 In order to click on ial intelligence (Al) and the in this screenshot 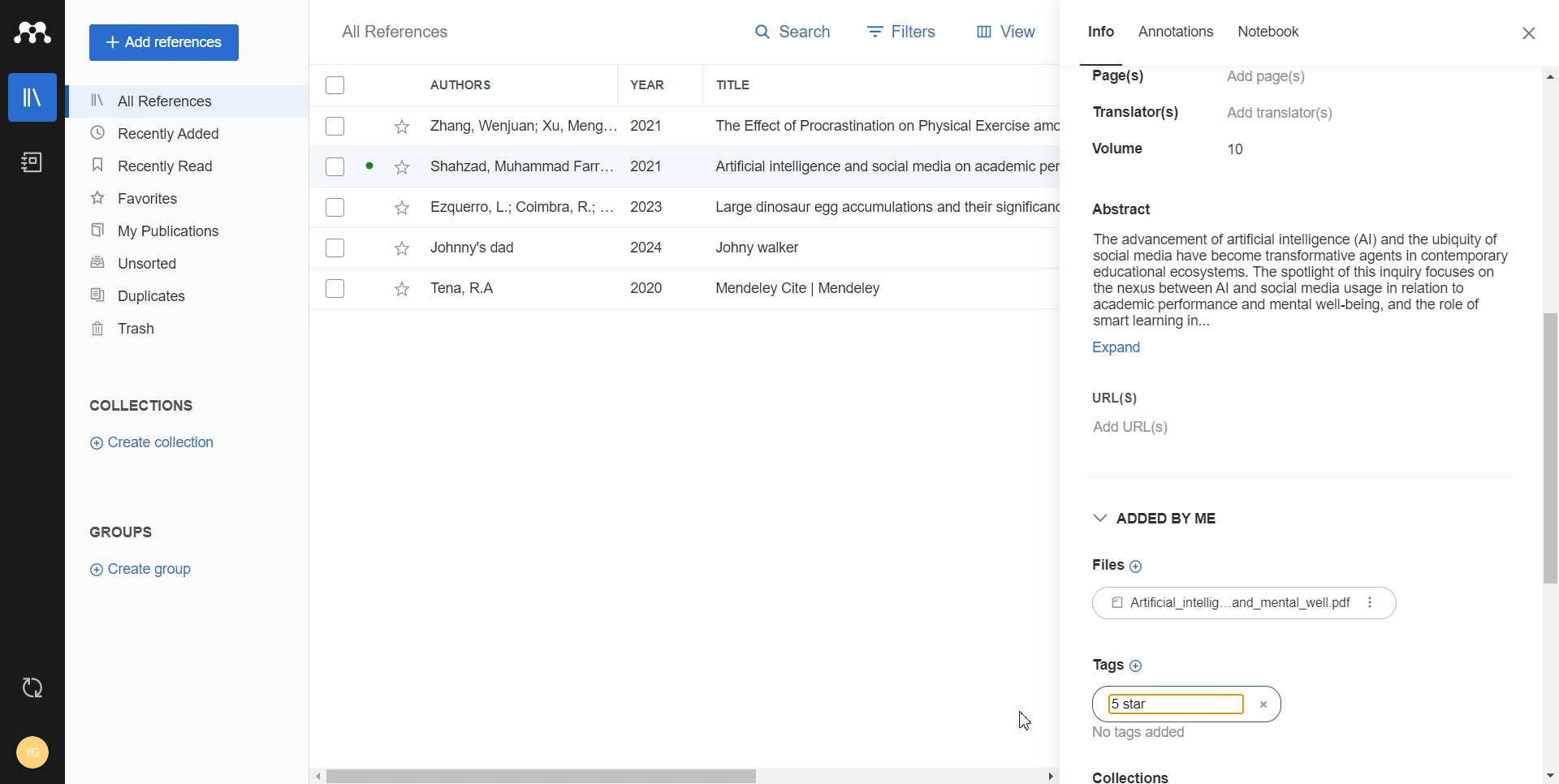, I will do `click(1212, 114)`.